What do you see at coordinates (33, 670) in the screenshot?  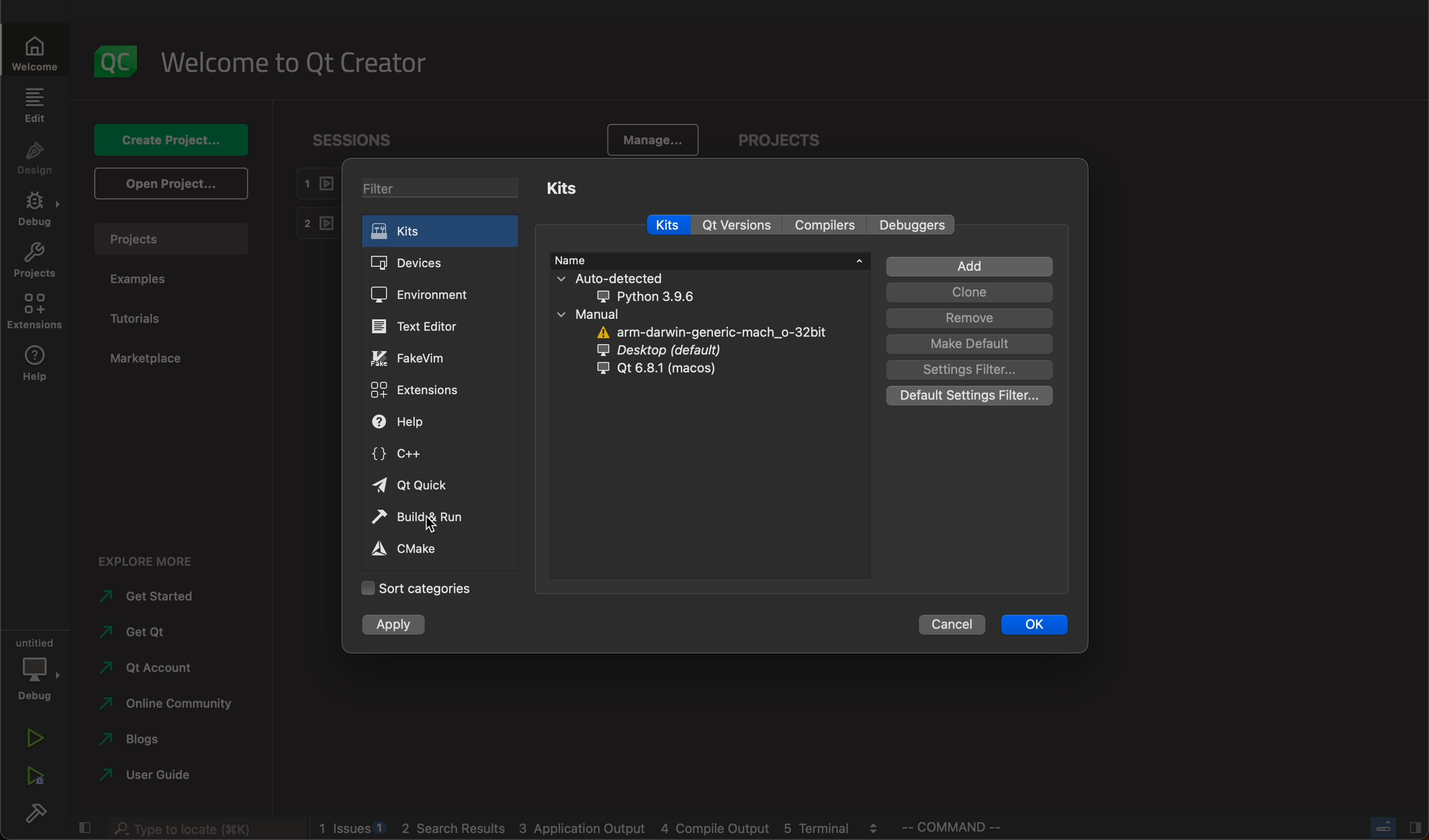 I see `debug` at bounding box center [33, 670].